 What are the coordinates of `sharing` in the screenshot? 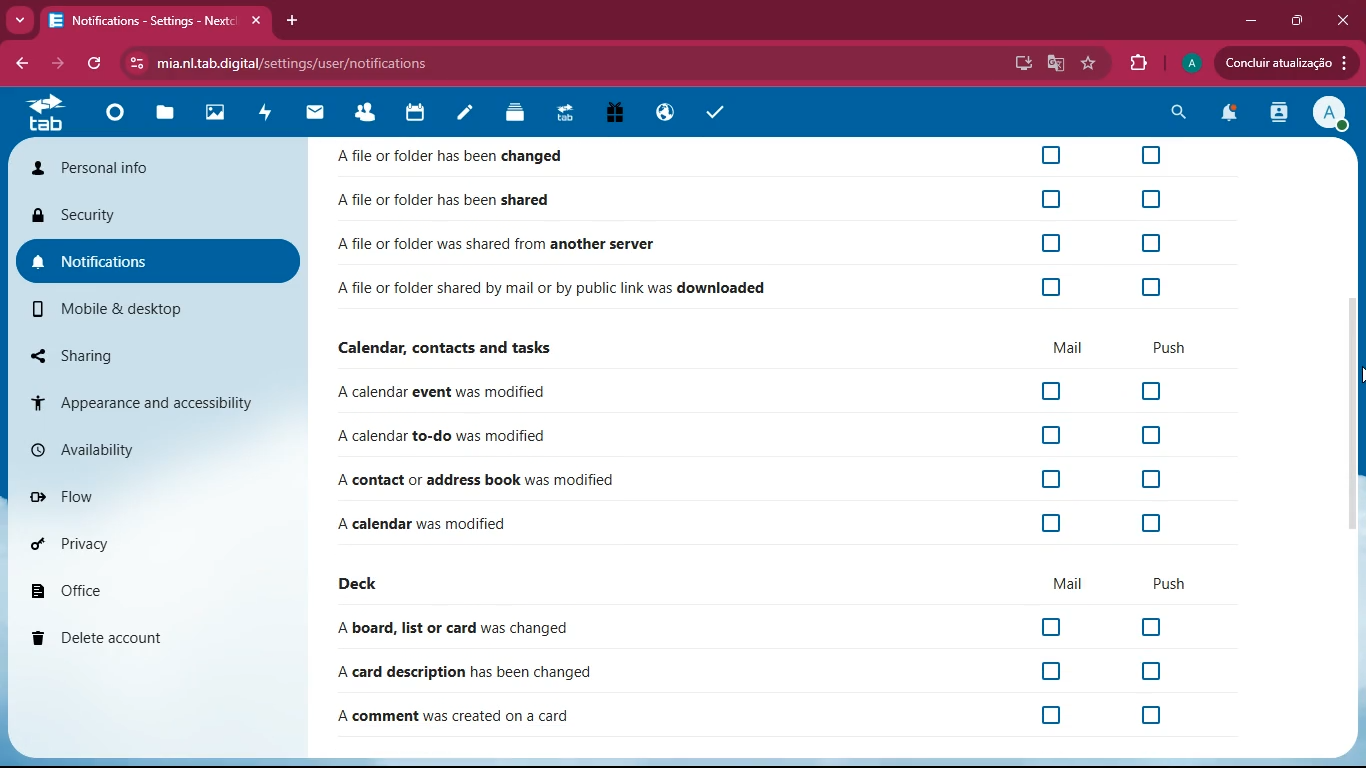 It's located at (150, 356).